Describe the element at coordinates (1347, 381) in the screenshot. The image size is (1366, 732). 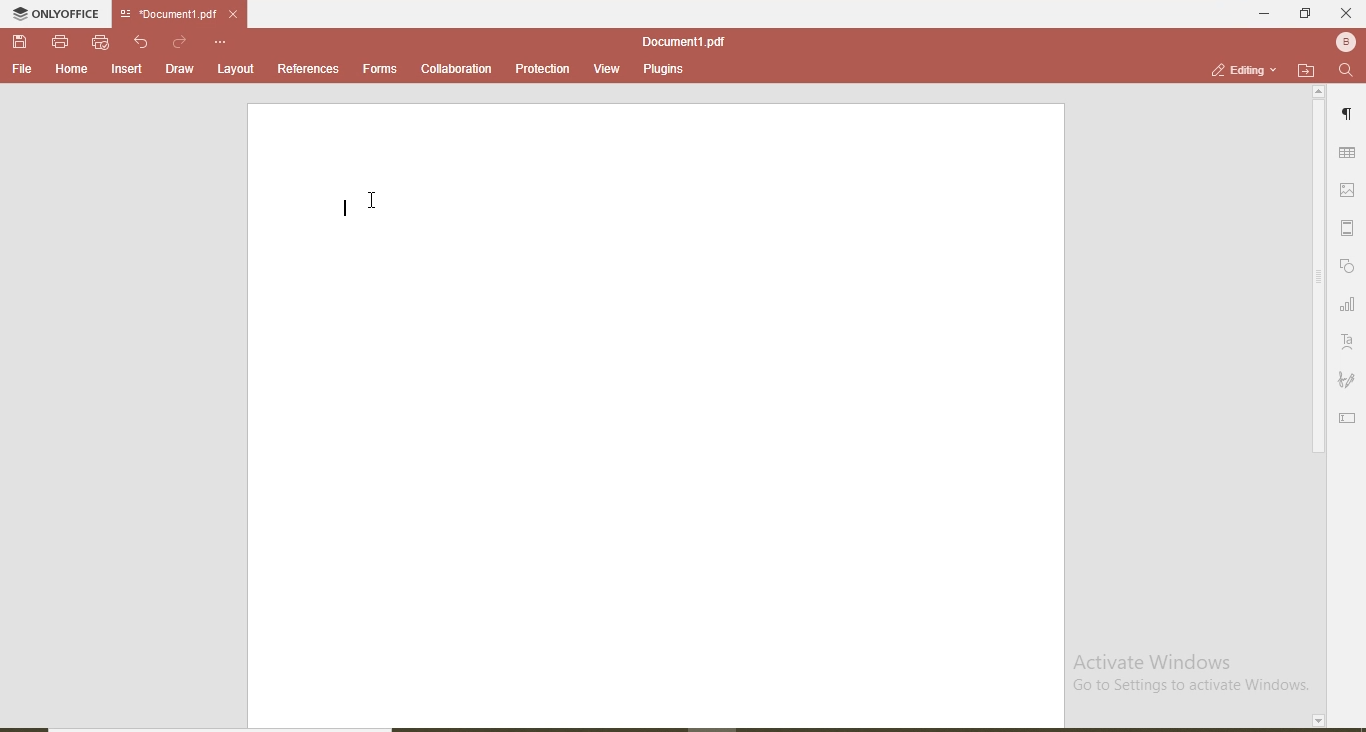
I see `signature` at that location.